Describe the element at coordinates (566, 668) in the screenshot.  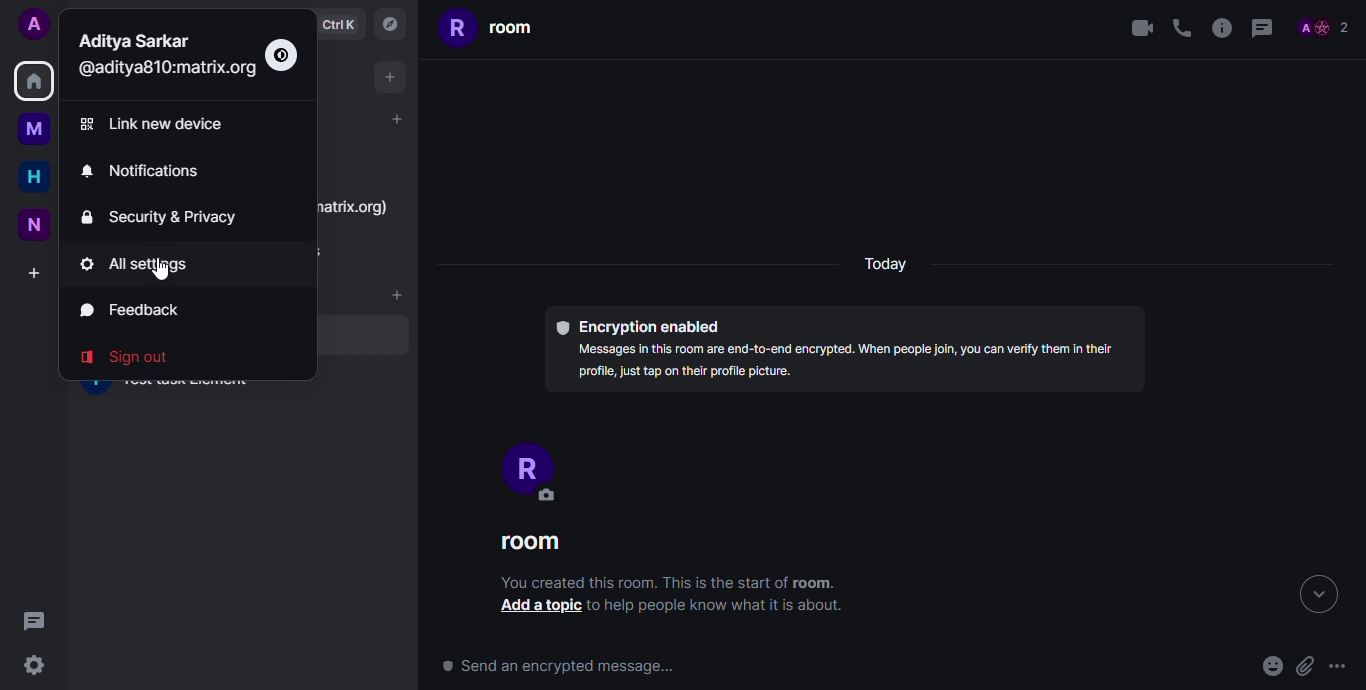
I see `send encrypted message` at that location.